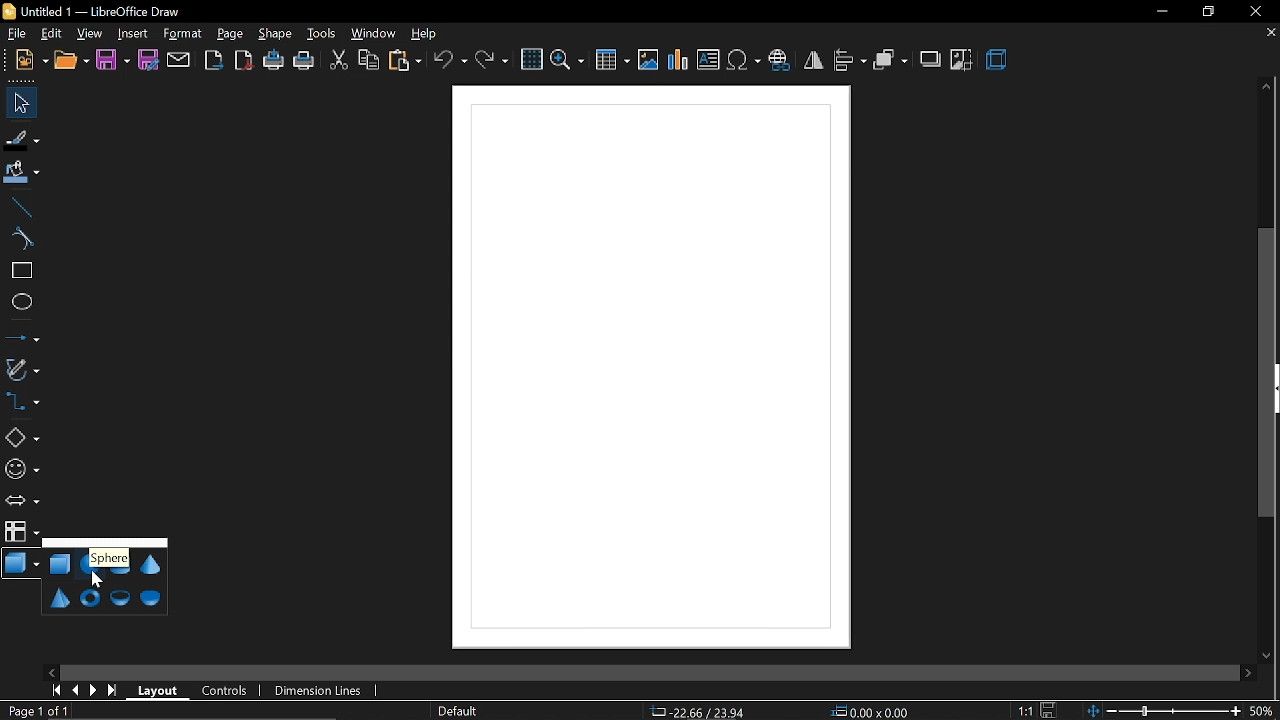 The height and width of the screenshot is (720, 1280). Describe the element at coordinates (1270, 374) in the screenshot. I see `Vertical scrollbar` at that location.